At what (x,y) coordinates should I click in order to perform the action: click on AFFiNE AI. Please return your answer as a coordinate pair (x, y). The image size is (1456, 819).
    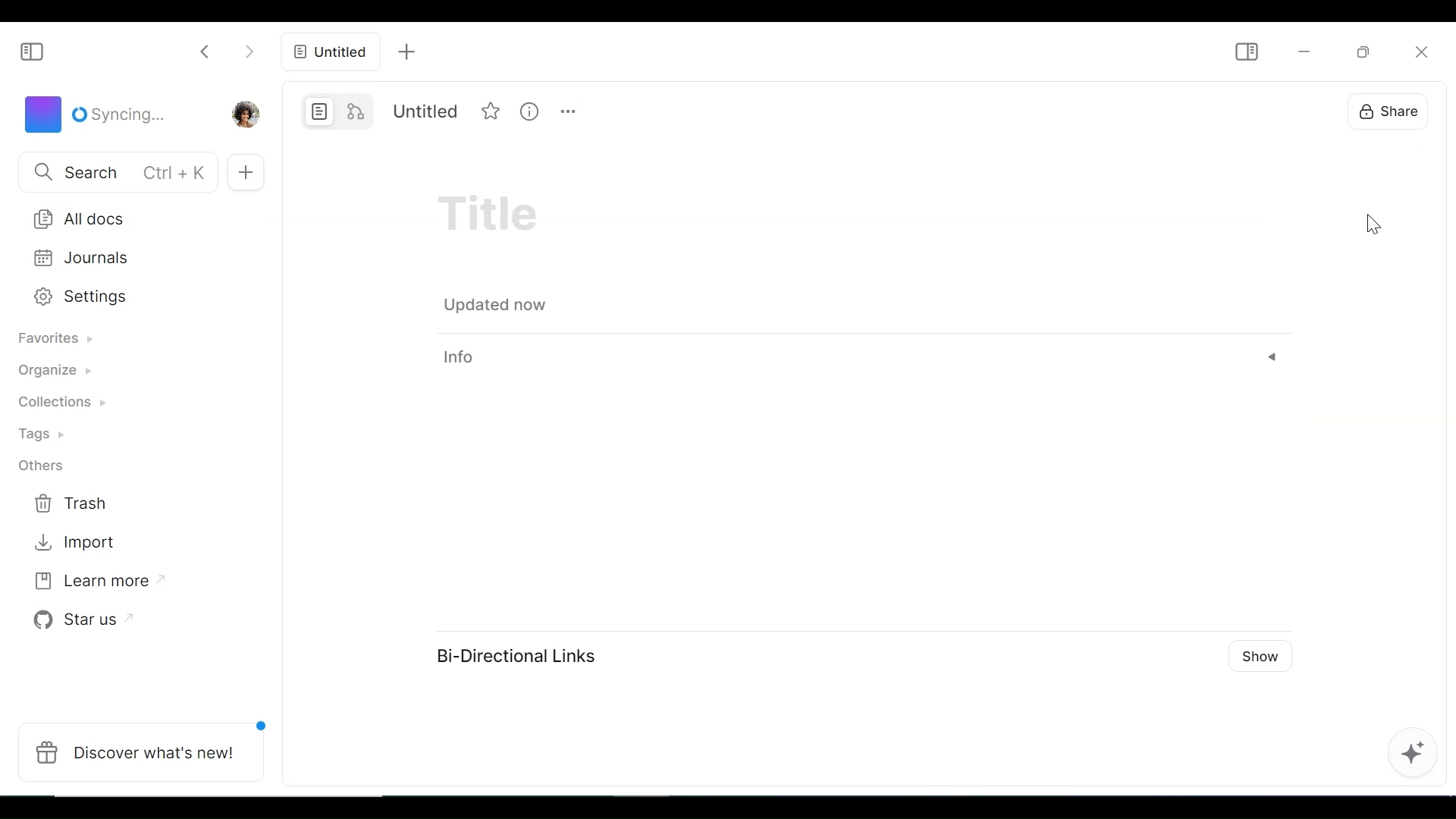
    Looking at the image, I should click on (1417, 753).